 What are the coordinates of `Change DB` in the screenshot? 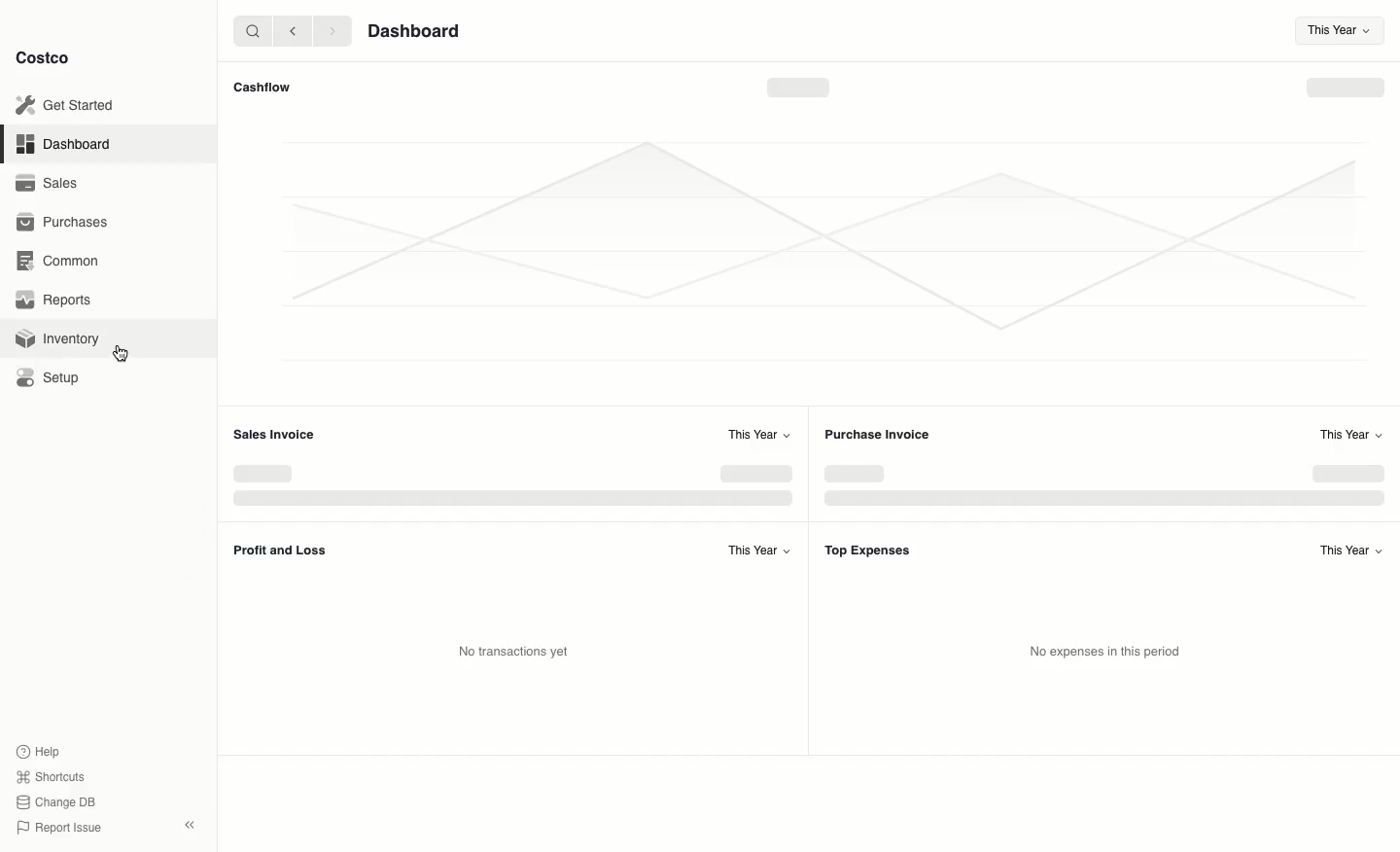 It's located at (56, 802).